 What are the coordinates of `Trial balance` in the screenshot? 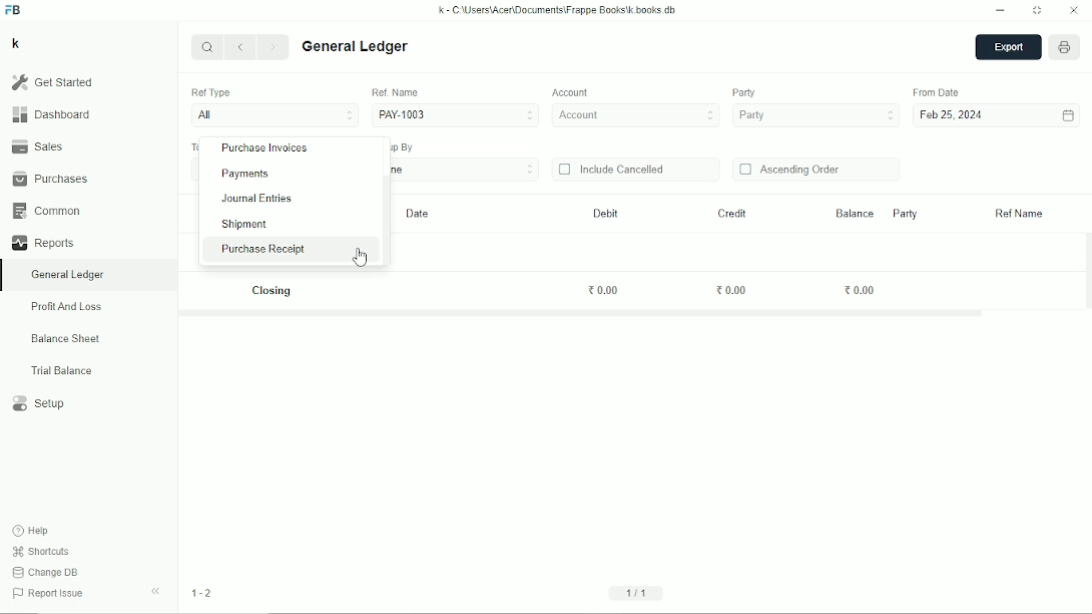 It's located at (62, 371).